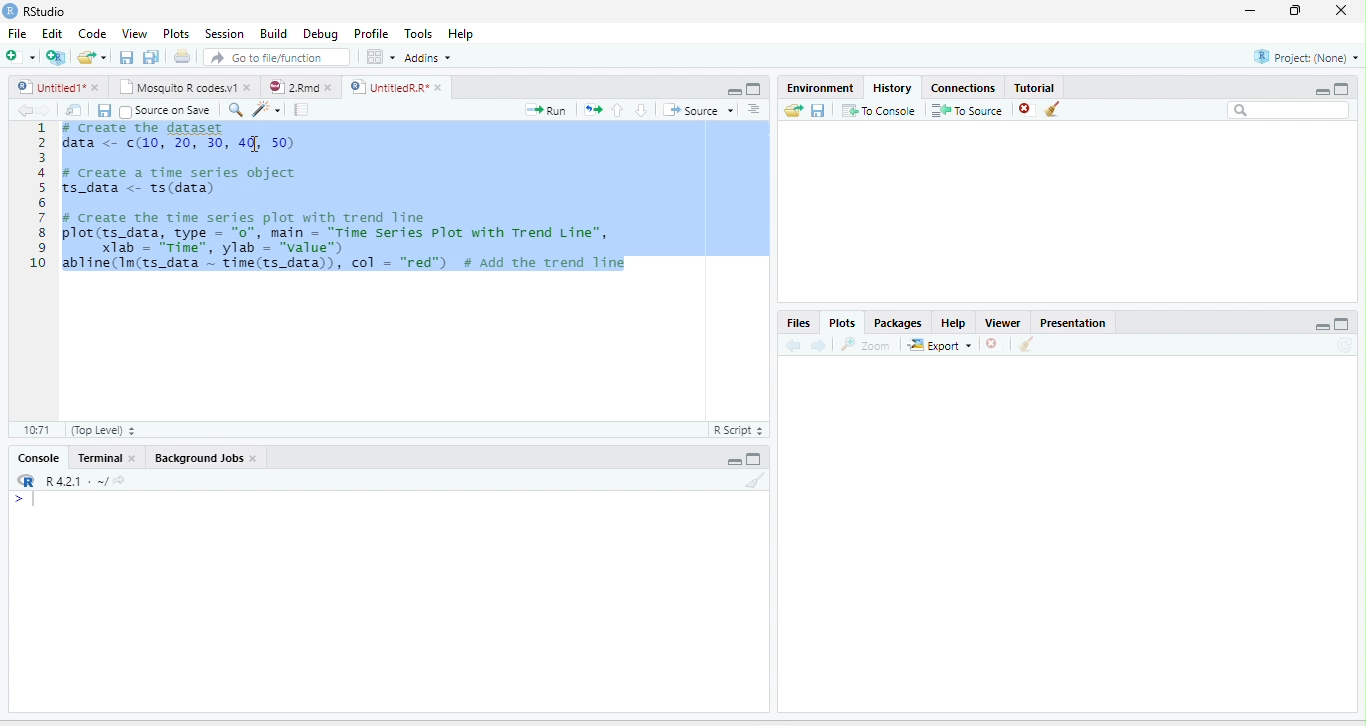  I want to click on Addins, so click(428, 58).